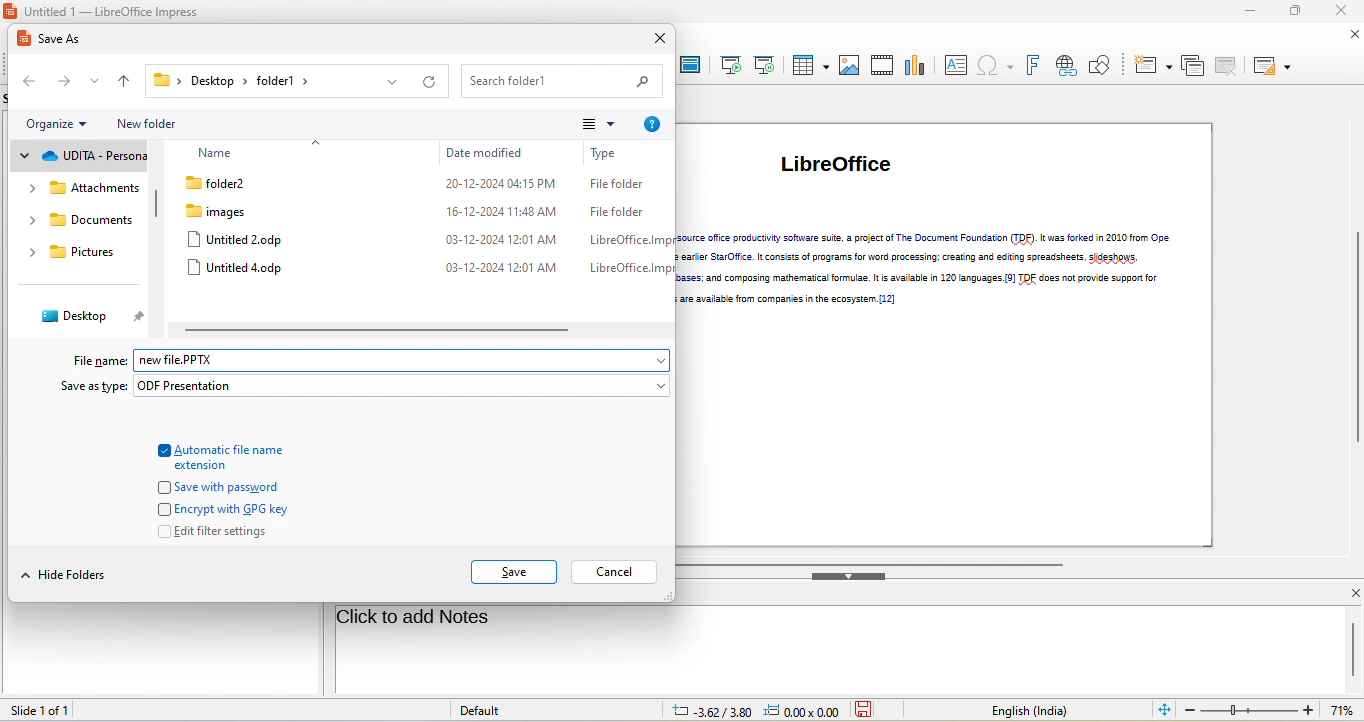 The height and width of the screenshot is (722, 1364). What do you see at coordinates (729, 67) in the screenshot?
I see `start from first slide` at bounding box center [729, 67].